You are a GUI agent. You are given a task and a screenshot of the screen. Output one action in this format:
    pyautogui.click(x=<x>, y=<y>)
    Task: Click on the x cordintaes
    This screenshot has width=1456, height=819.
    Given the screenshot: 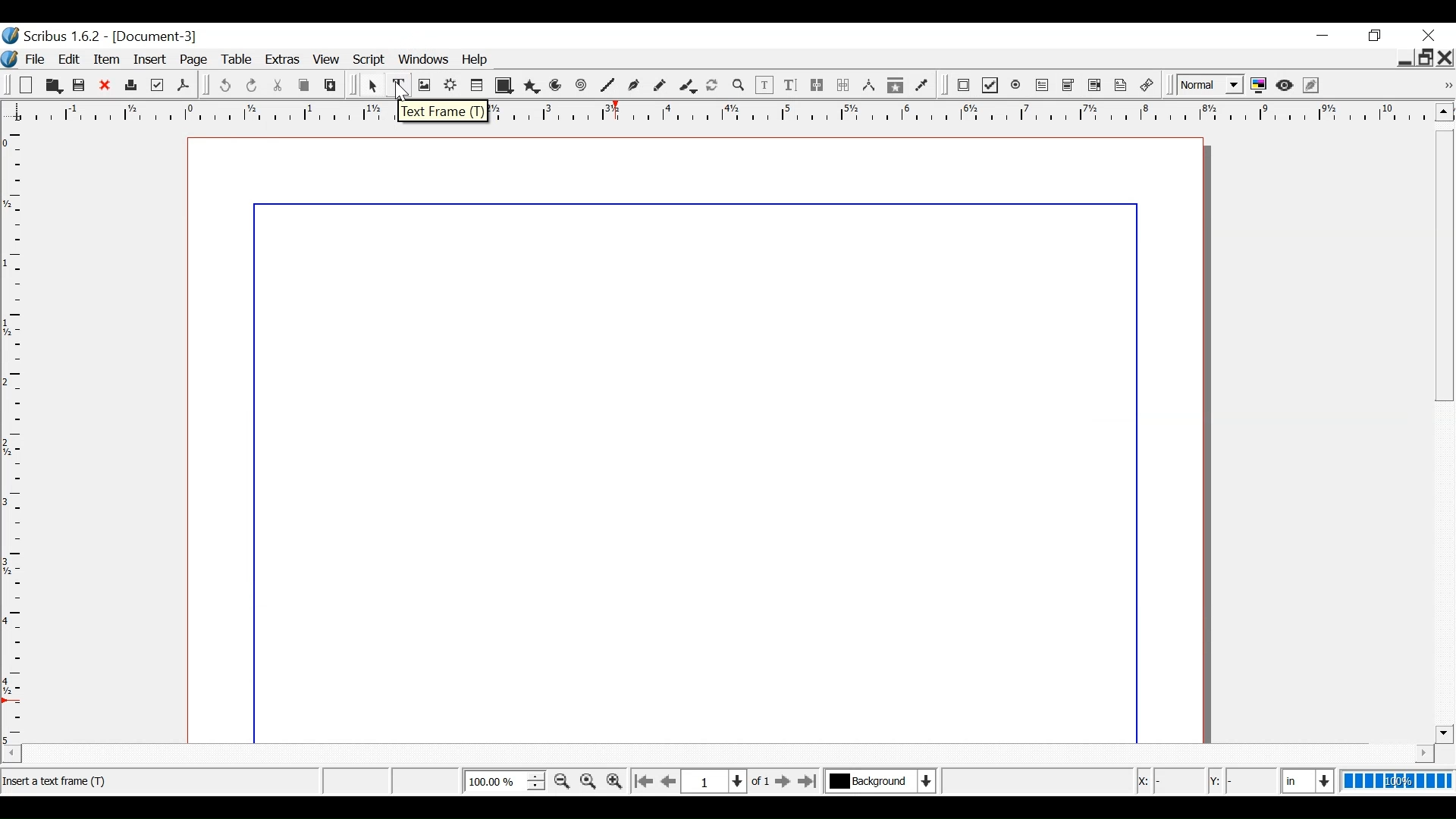 What is the action you would take?
    pyautogui.click(x=1170, y=782)
    